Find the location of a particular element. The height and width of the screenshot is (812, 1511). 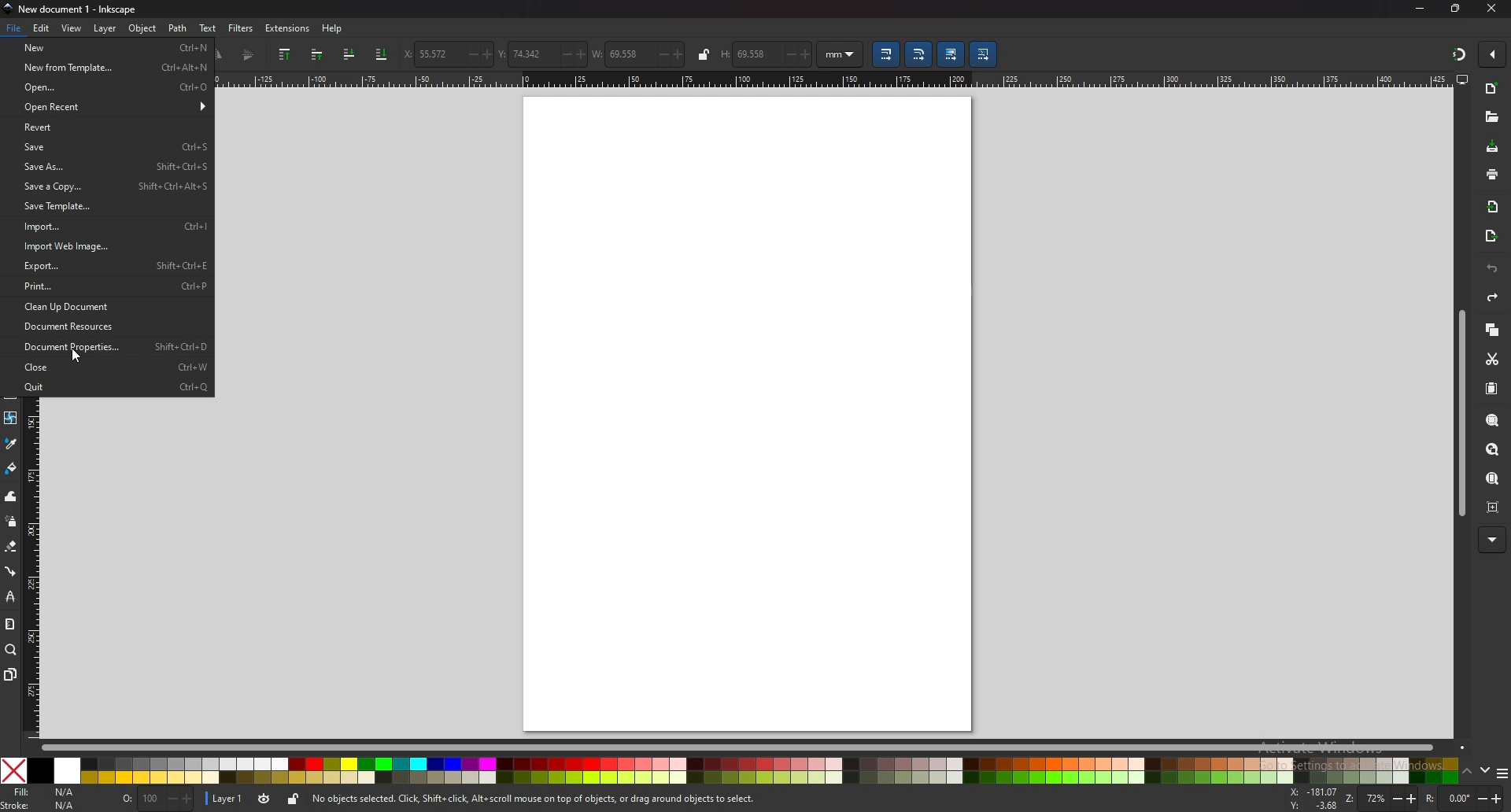

mm is located at coordinates (830, 54).